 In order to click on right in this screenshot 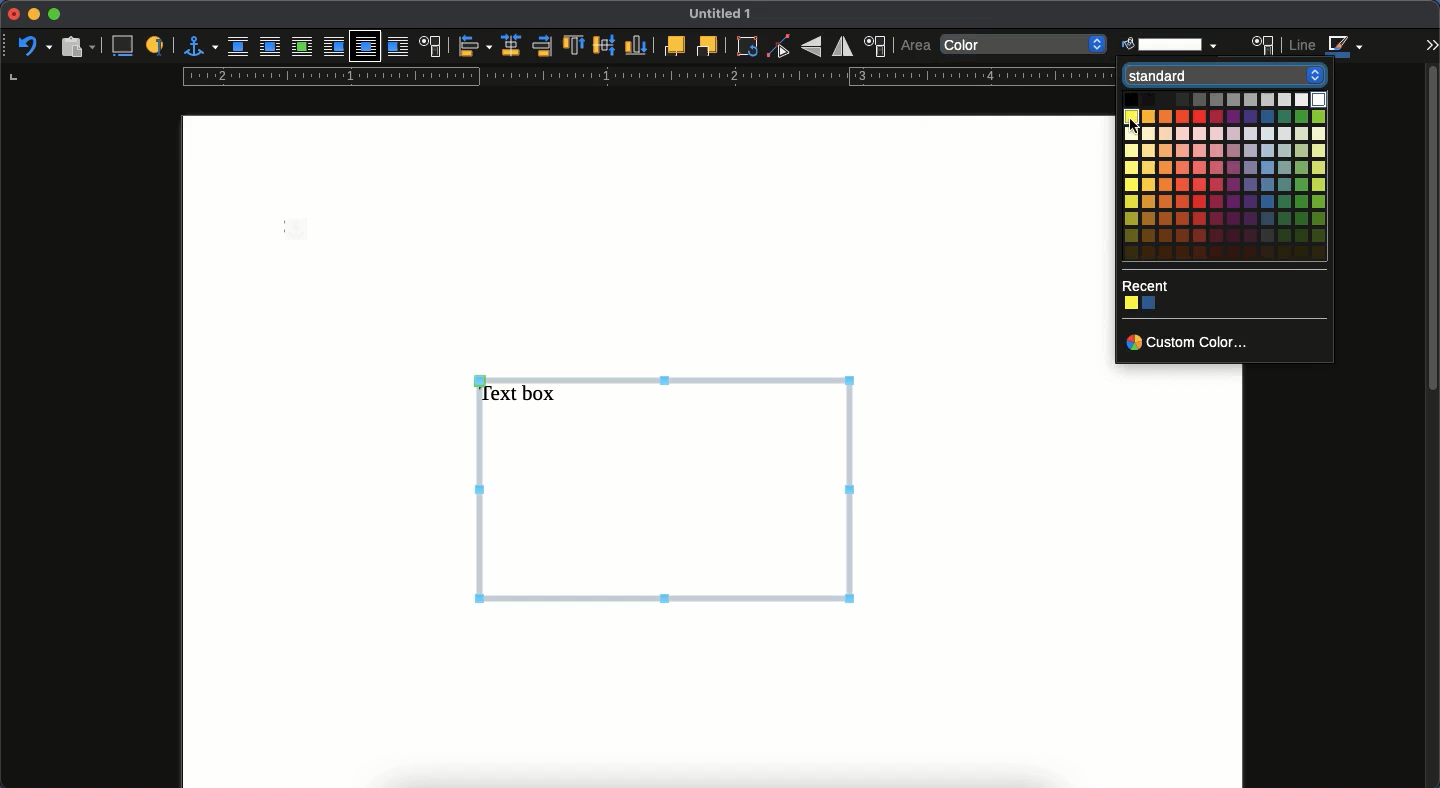, I will do `click(541, 47)`.